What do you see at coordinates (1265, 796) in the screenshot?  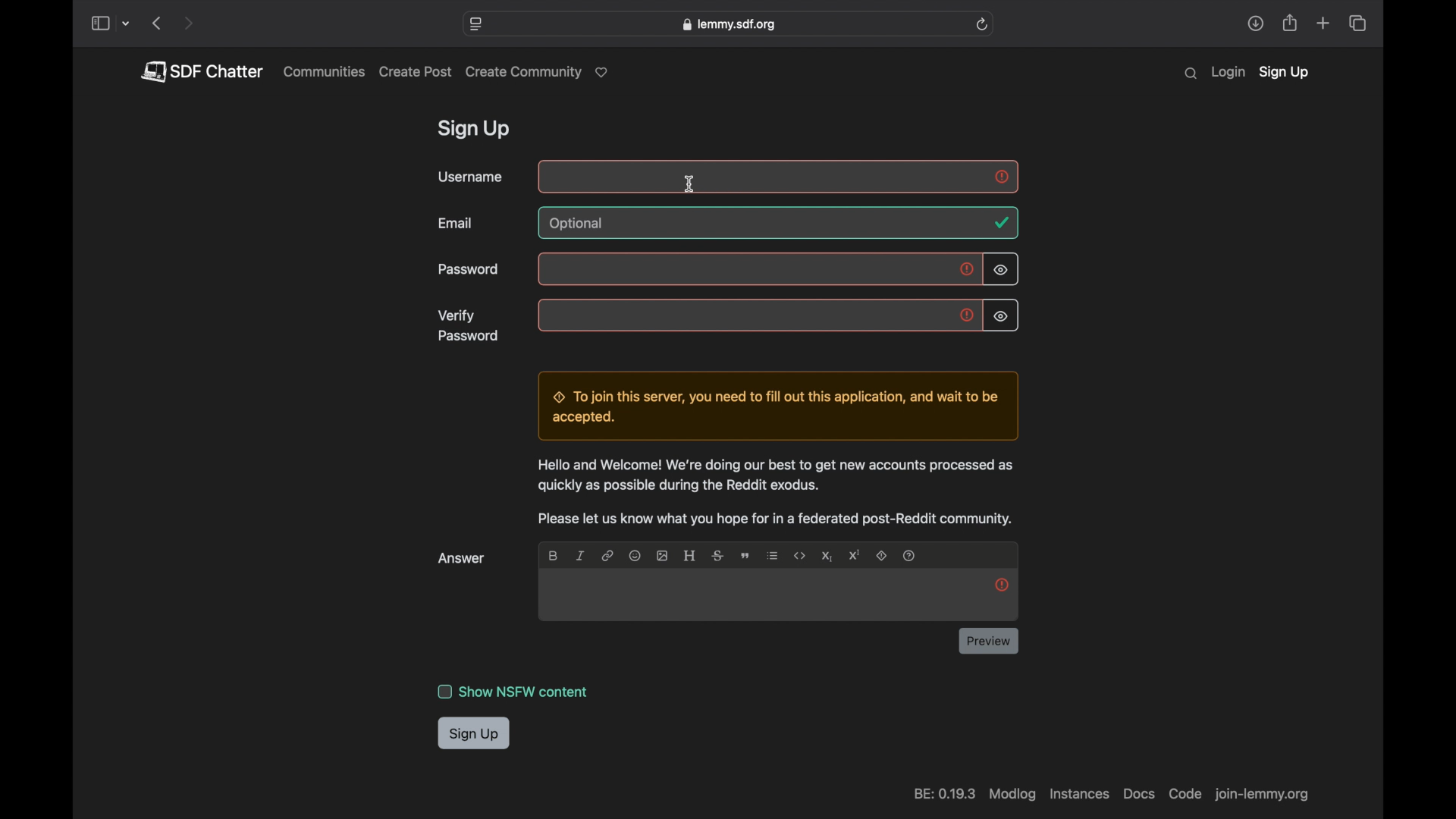 I see `web address` at bounding box center [1265, 796].